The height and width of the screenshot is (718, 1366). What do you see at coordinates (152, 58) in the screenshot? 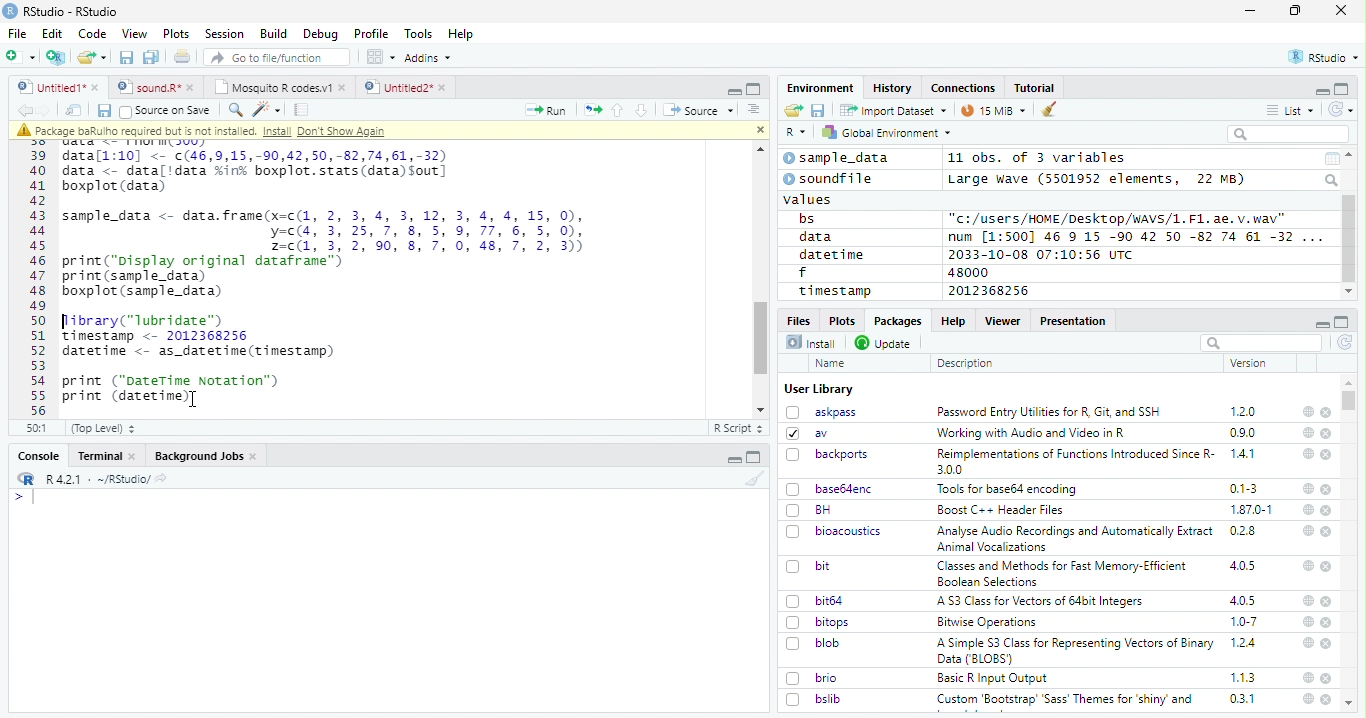
I see `Save all the open documents` at bounding box center [152, 58].